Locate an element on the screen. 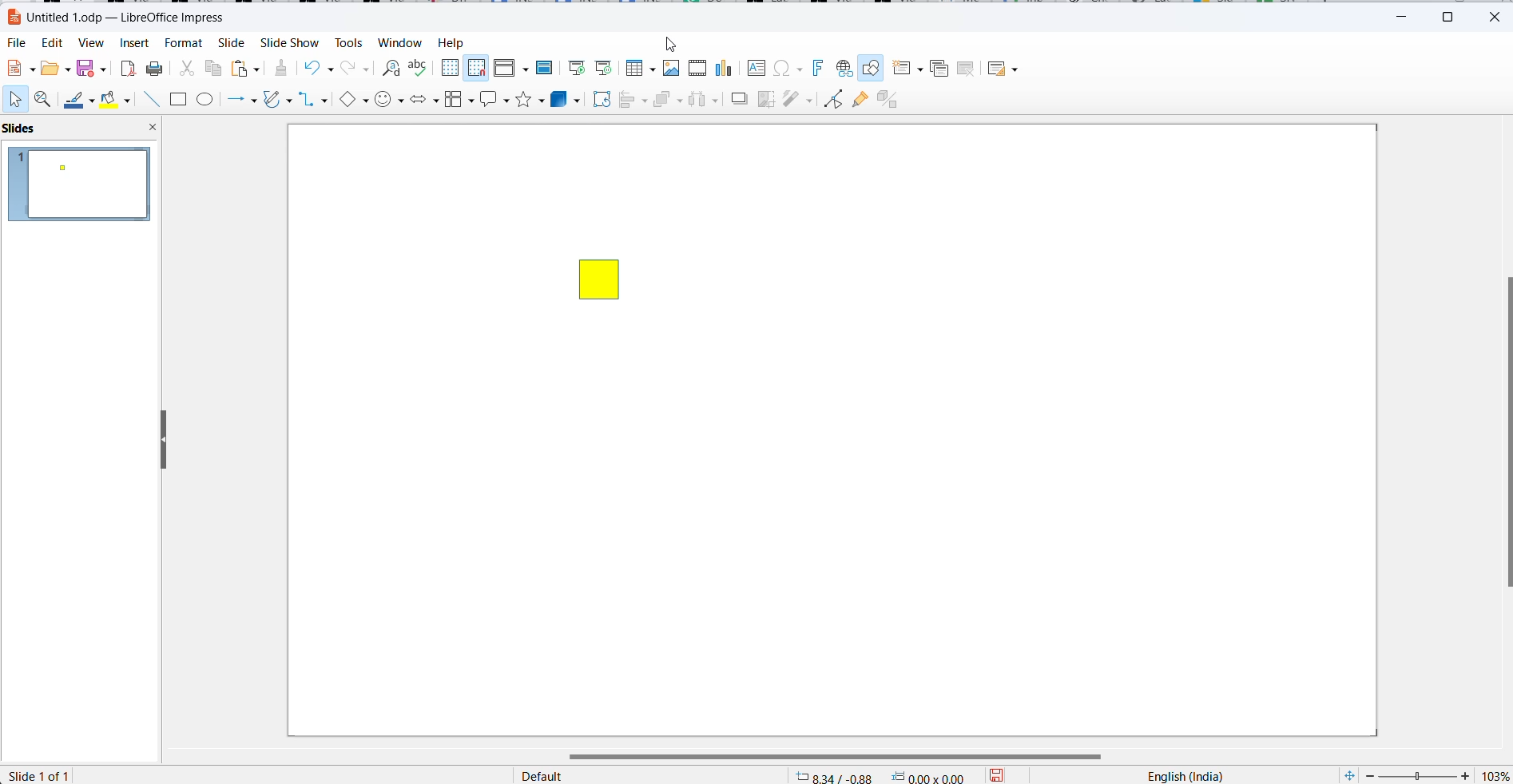  Insert audio video is located at coordinates (699, 69).